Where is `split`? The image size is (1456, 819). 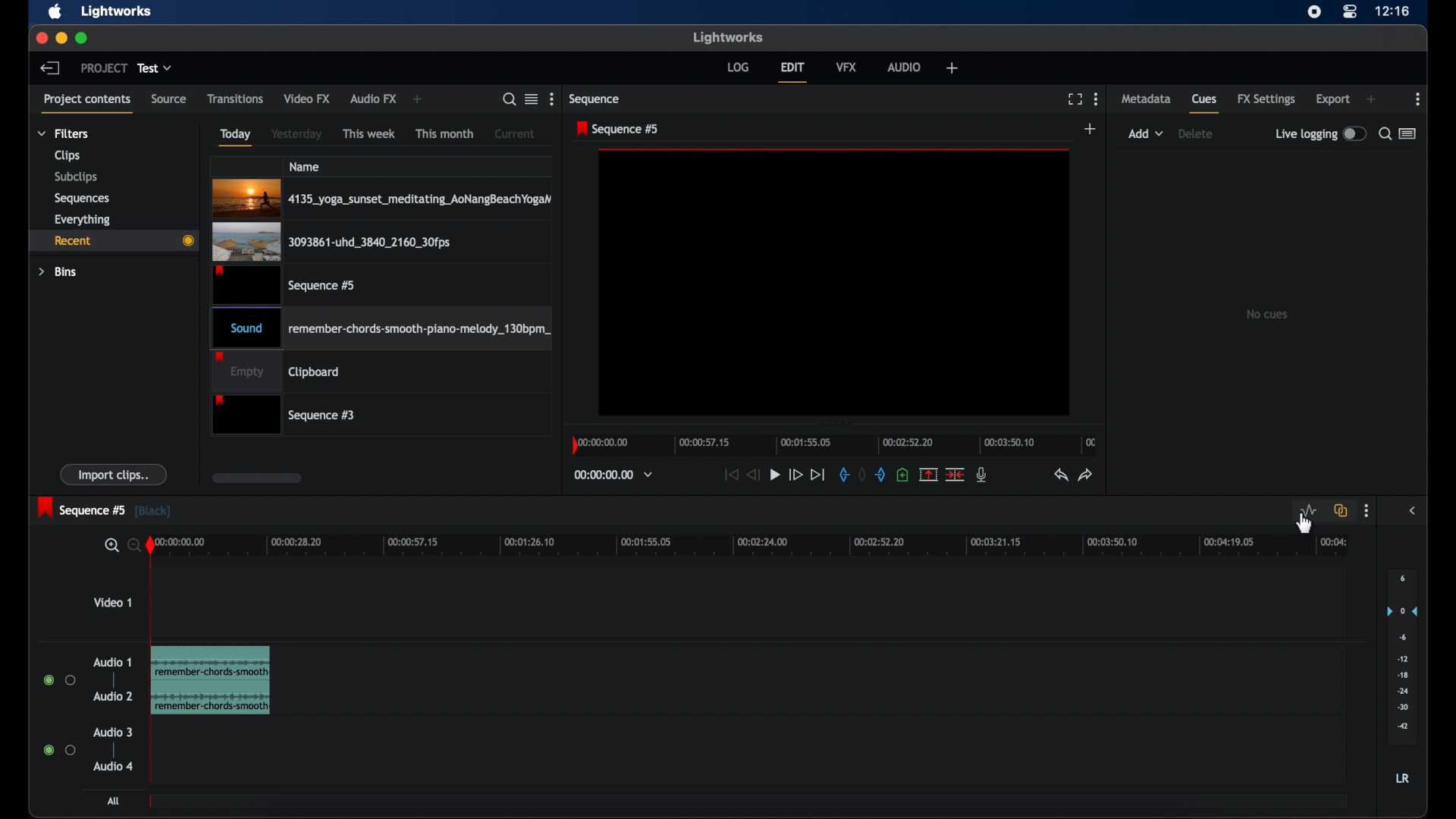
split is located at coordinates (928, 474).